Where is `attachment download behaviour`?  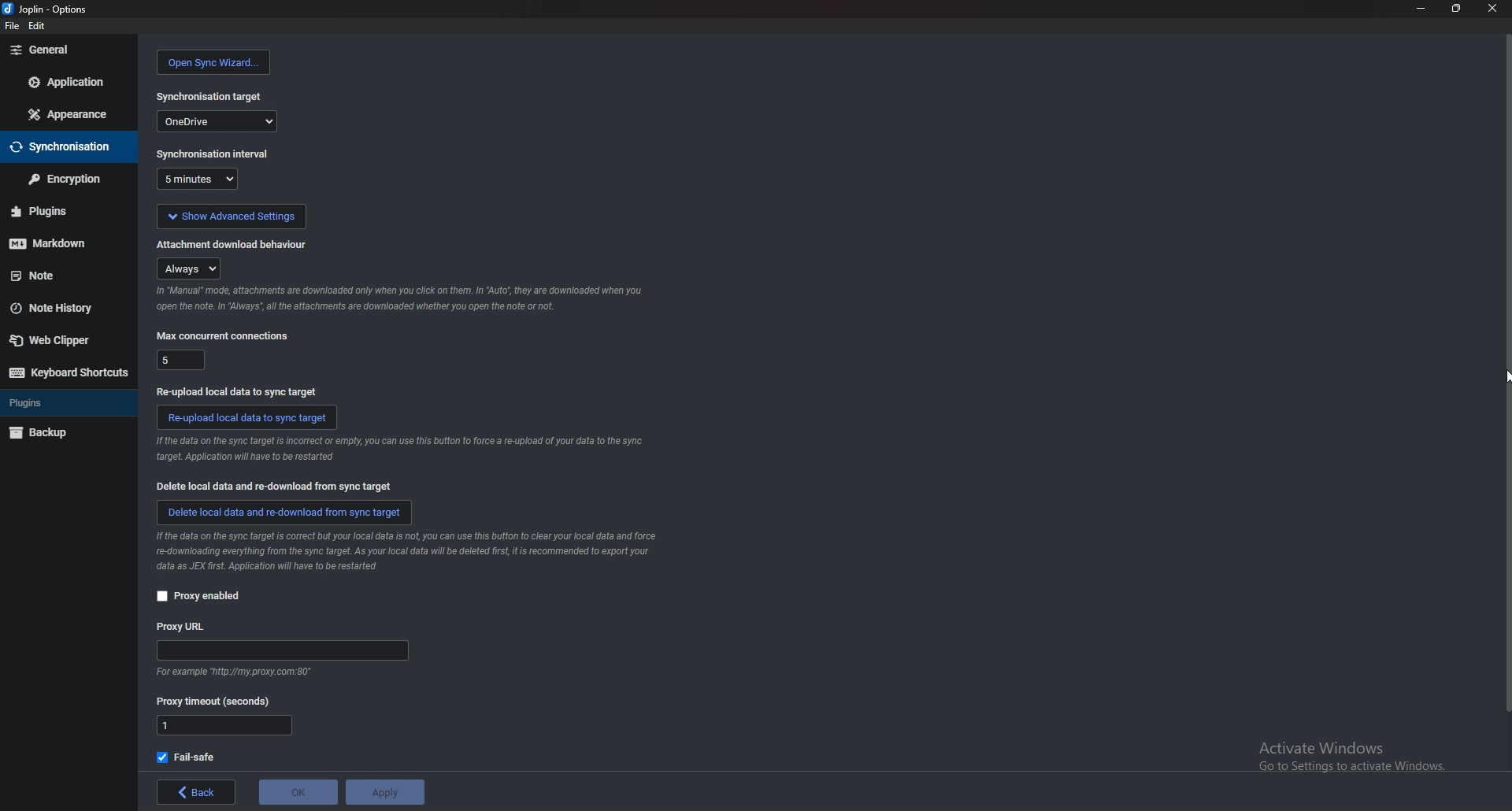 attachment download behaviour is located at coordinates (233, 244).